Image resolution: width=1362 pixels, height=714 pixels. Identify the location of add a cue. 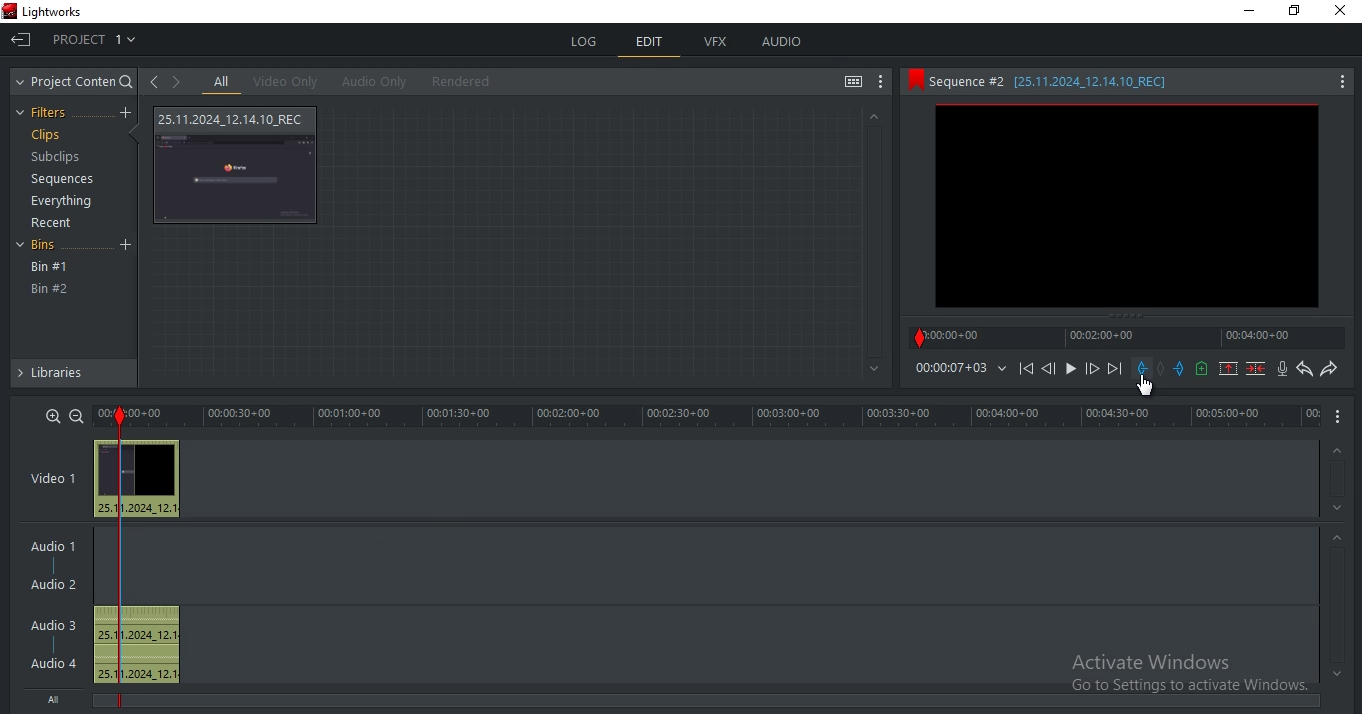
(1203, 369).